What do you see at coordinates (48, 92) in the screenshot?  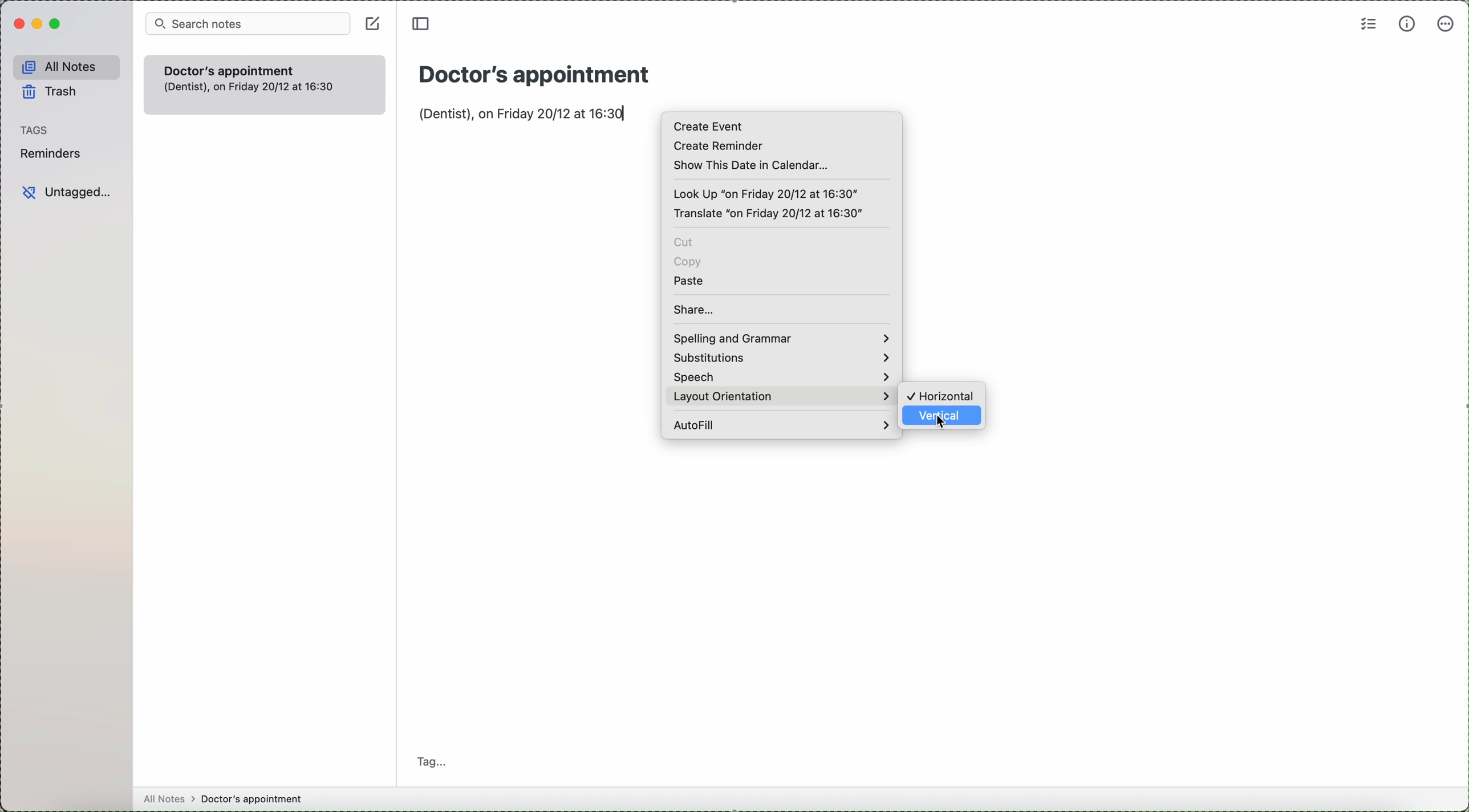 I see `trash` at bounding box center [48, 92].